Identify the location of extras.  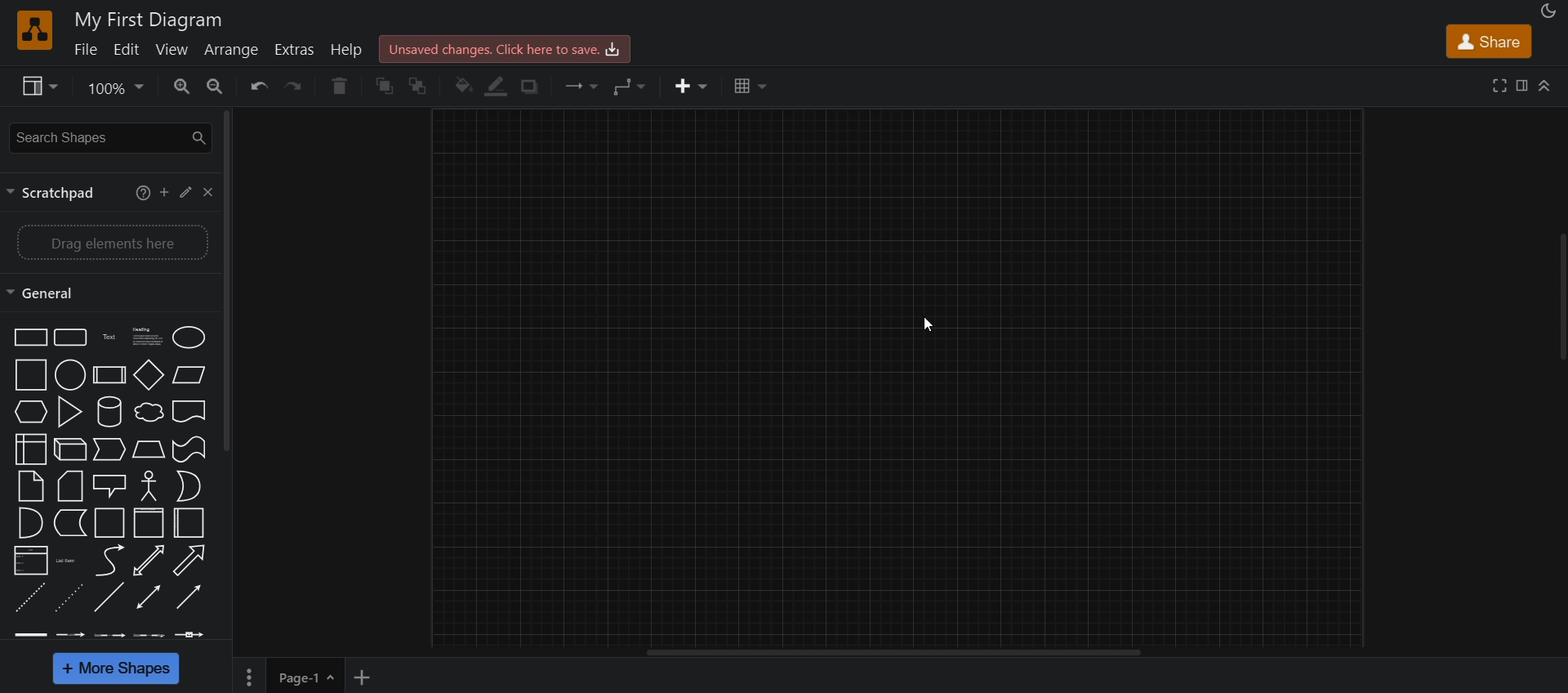
(296, 49).